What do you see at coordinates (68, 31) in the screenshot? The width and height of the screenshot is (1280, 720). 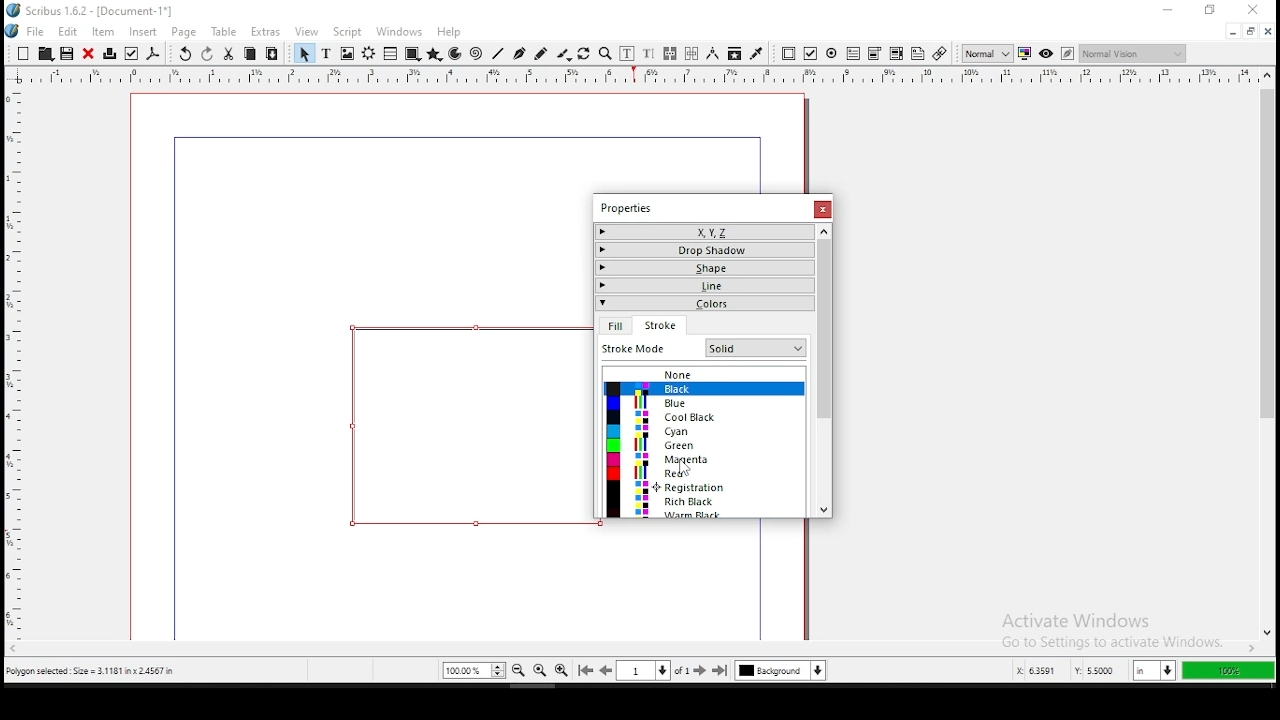 I see `edit` at bounding box center [68, 31].